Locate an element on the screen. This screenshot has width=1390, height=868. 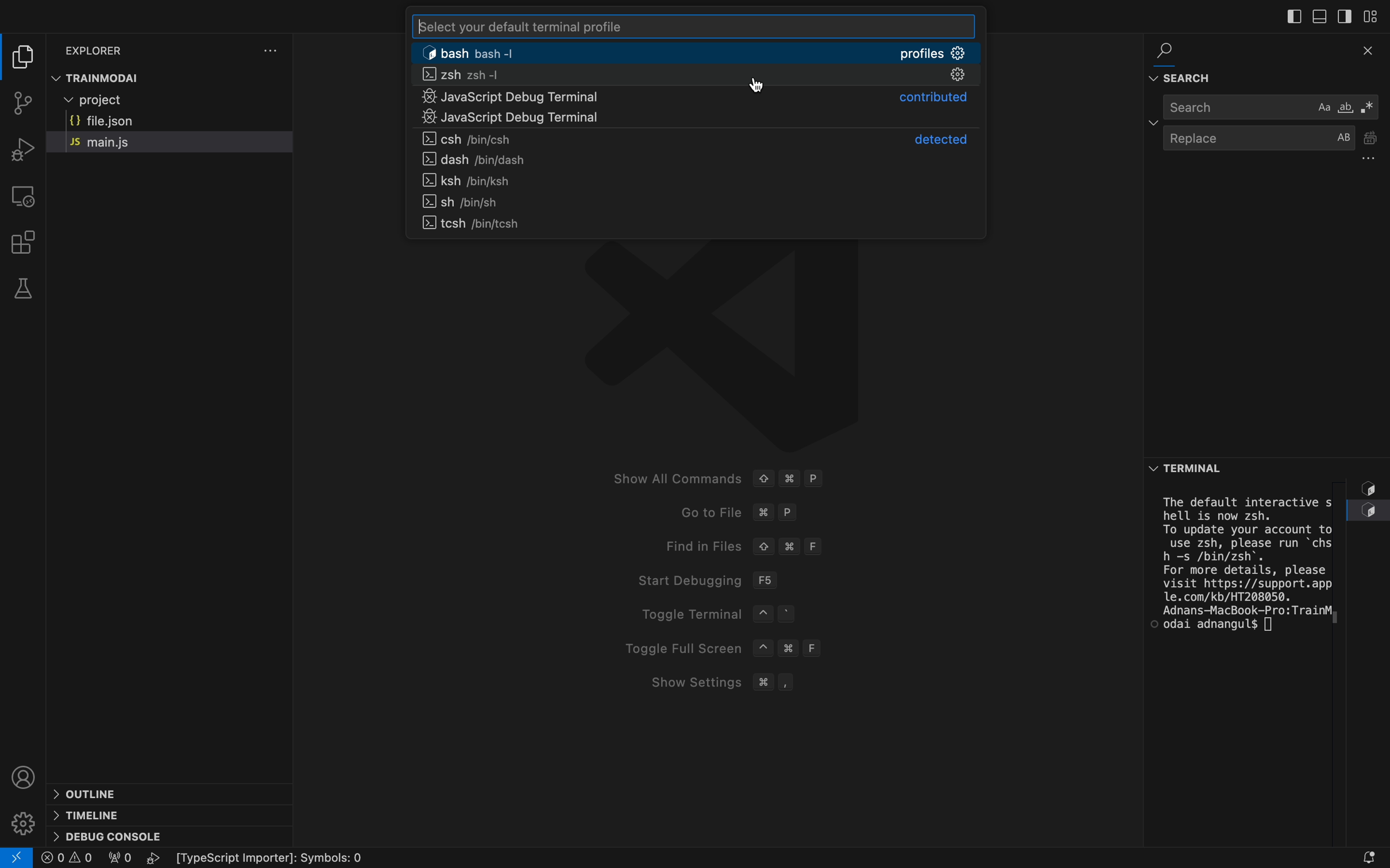
profile is located at coordinates (23, 773).